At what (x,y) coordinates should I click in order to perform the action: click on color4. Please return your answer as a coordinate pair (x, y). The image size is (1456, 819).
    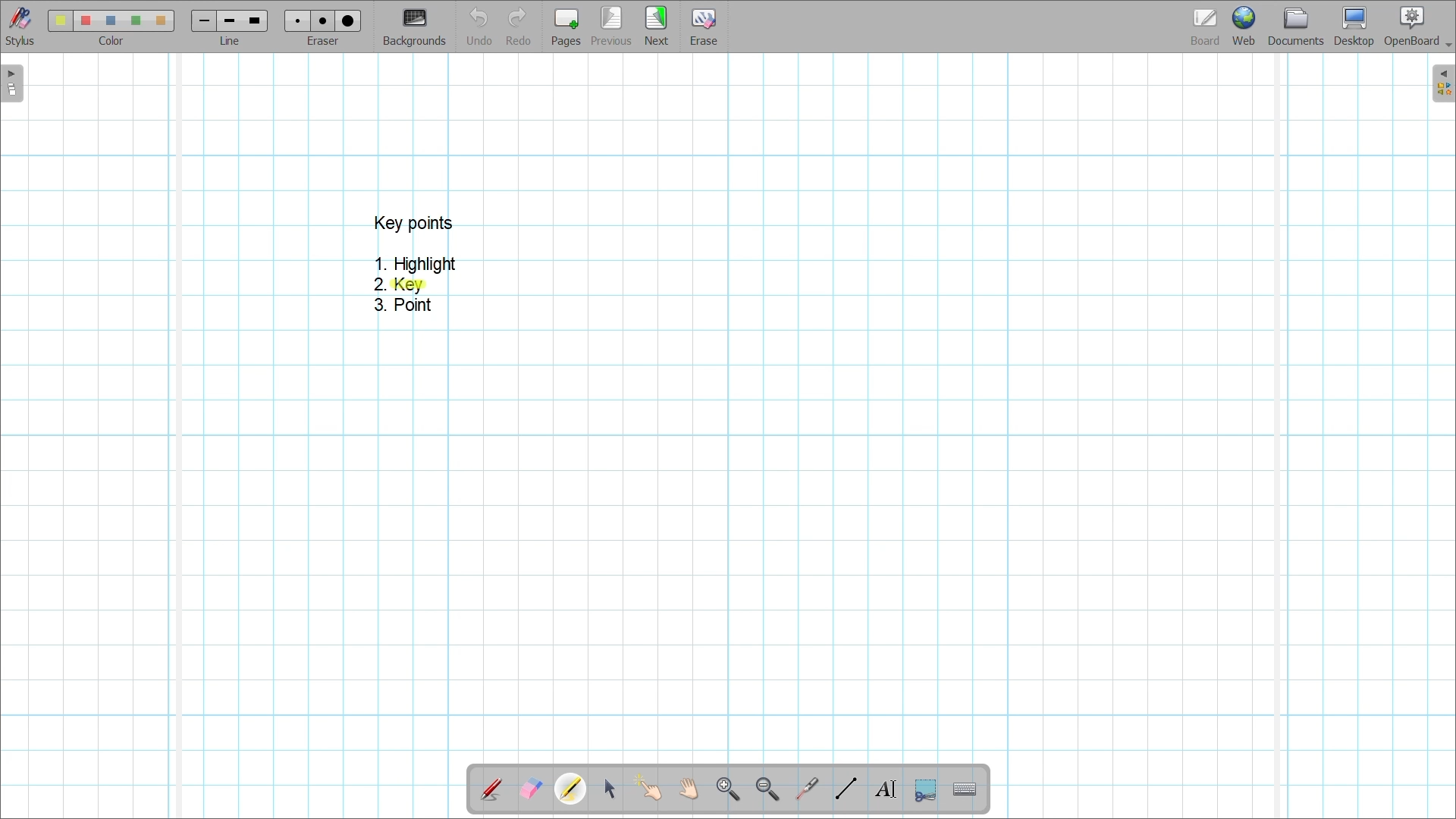
    Looking at the image, I should click on (135, 20).